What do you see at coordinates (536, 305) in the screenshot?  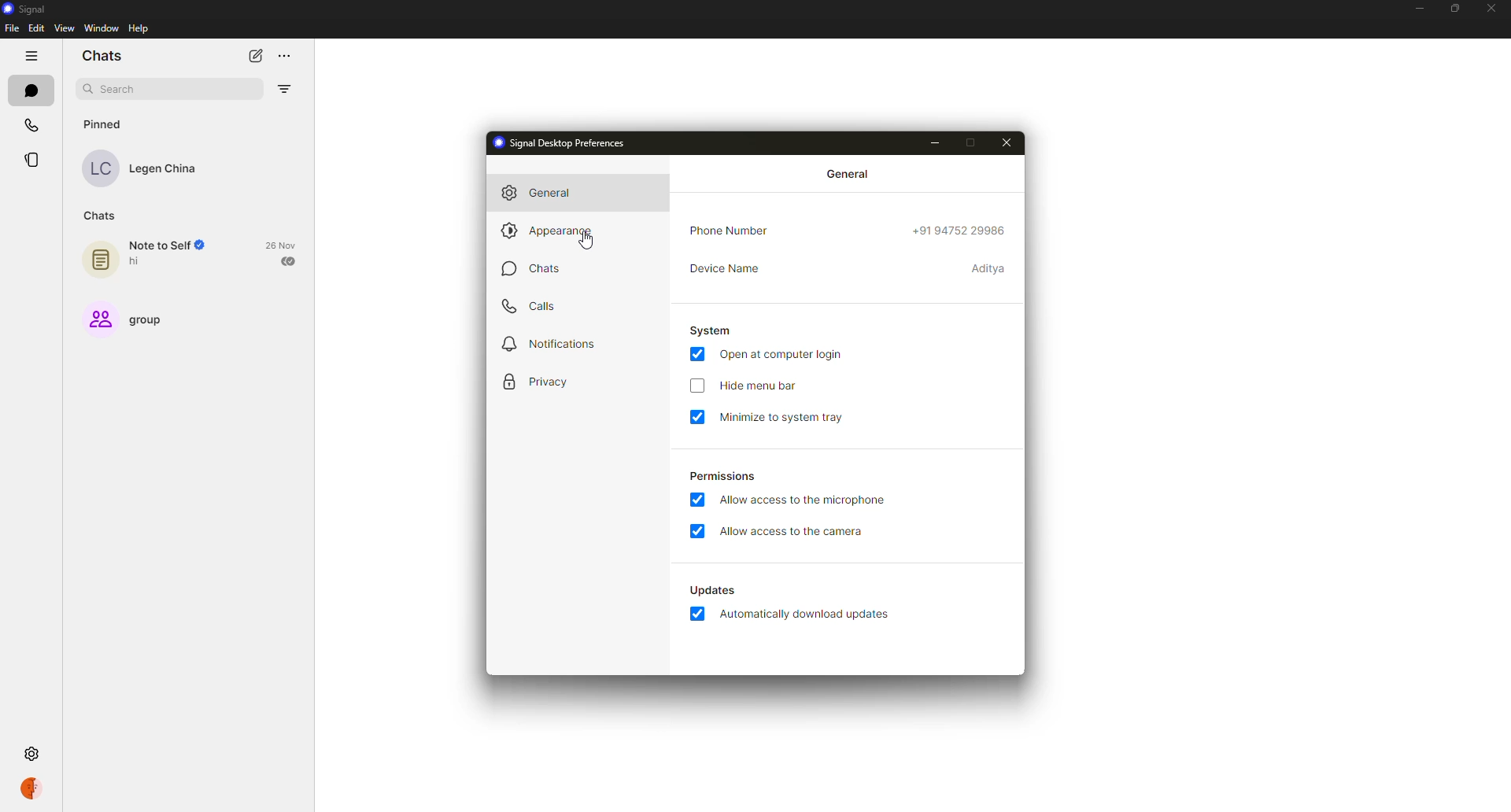 I see `calls` at bounding box center [536, 305].